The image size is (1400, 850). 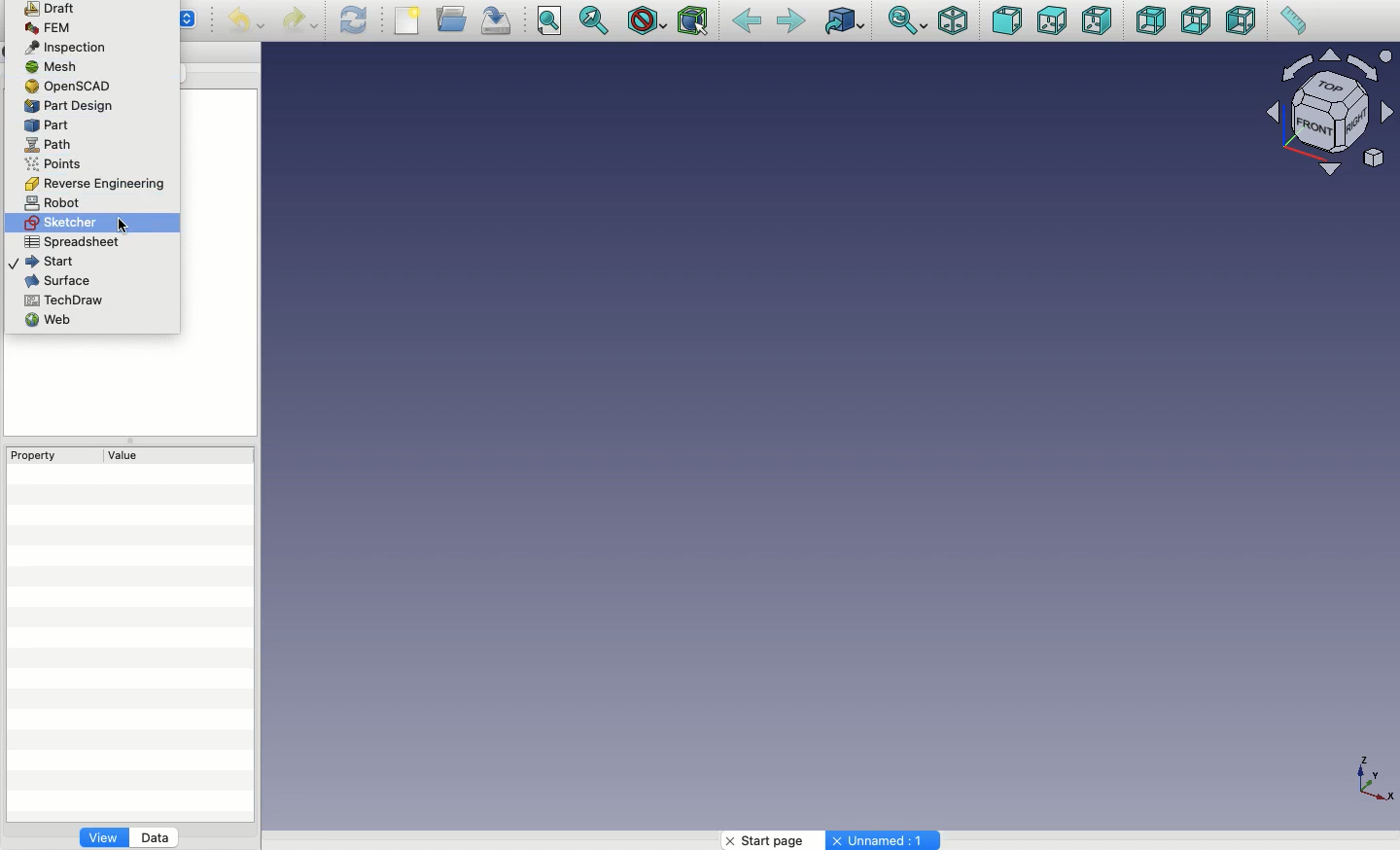 I want to click on Reverse engineering, so click(x=91, y=184).